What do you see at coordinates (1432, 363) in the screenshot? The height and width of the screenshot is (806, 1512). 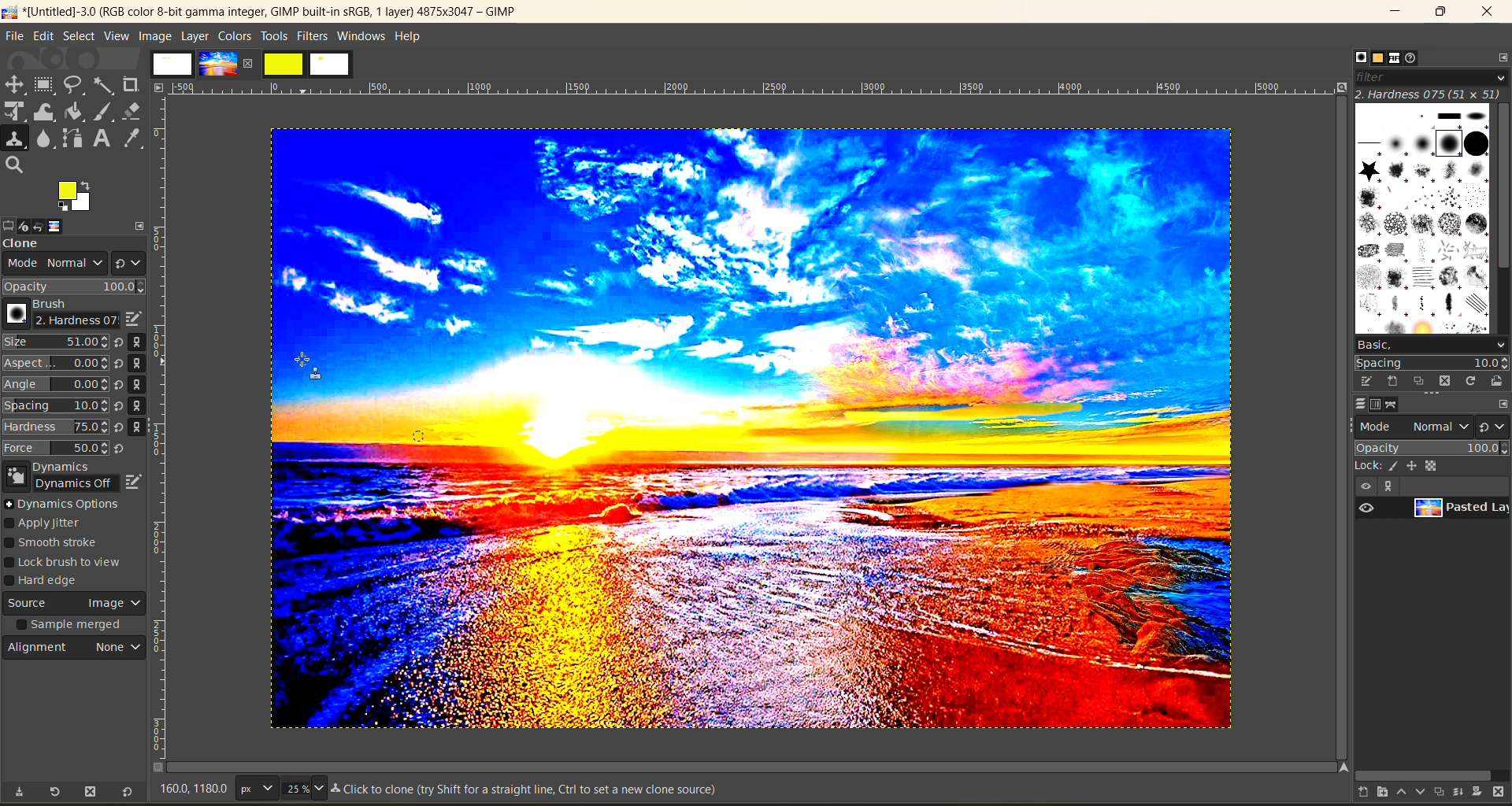 I see `spacing` at bounding box center [1432, 363].